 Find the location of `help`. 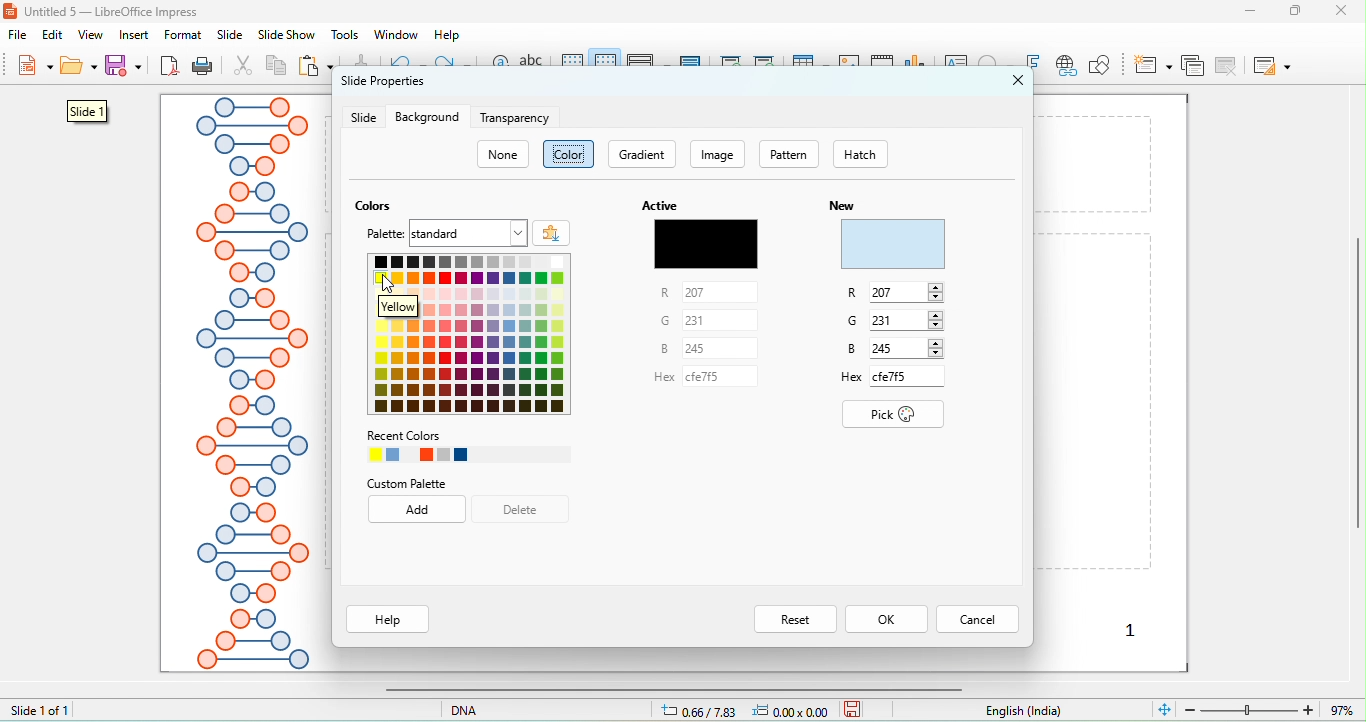

help is located at coordinates (448, 35).